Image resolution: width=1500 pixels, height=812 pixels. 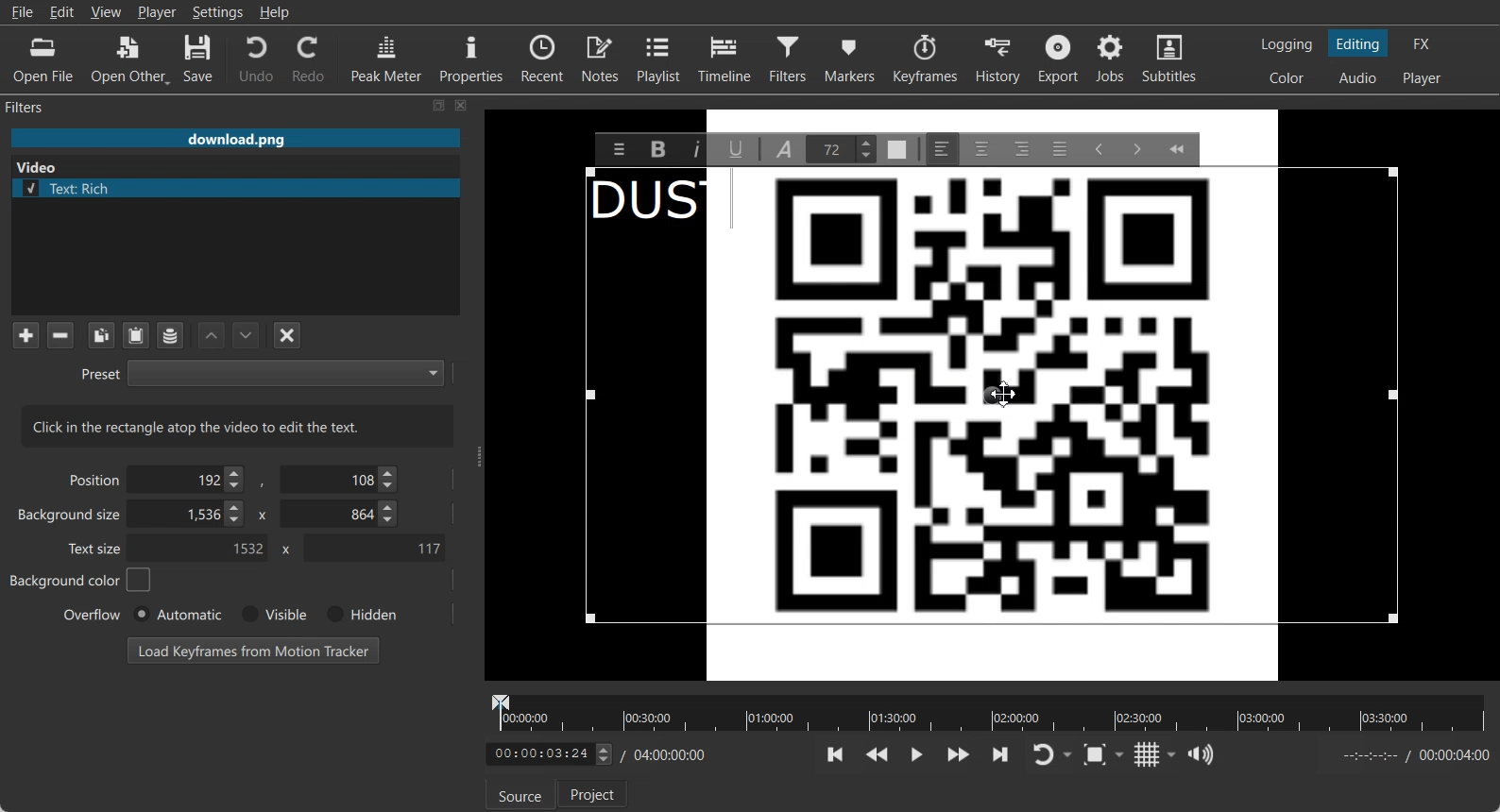 I want to click on Markers, so click(x=851, y=58).